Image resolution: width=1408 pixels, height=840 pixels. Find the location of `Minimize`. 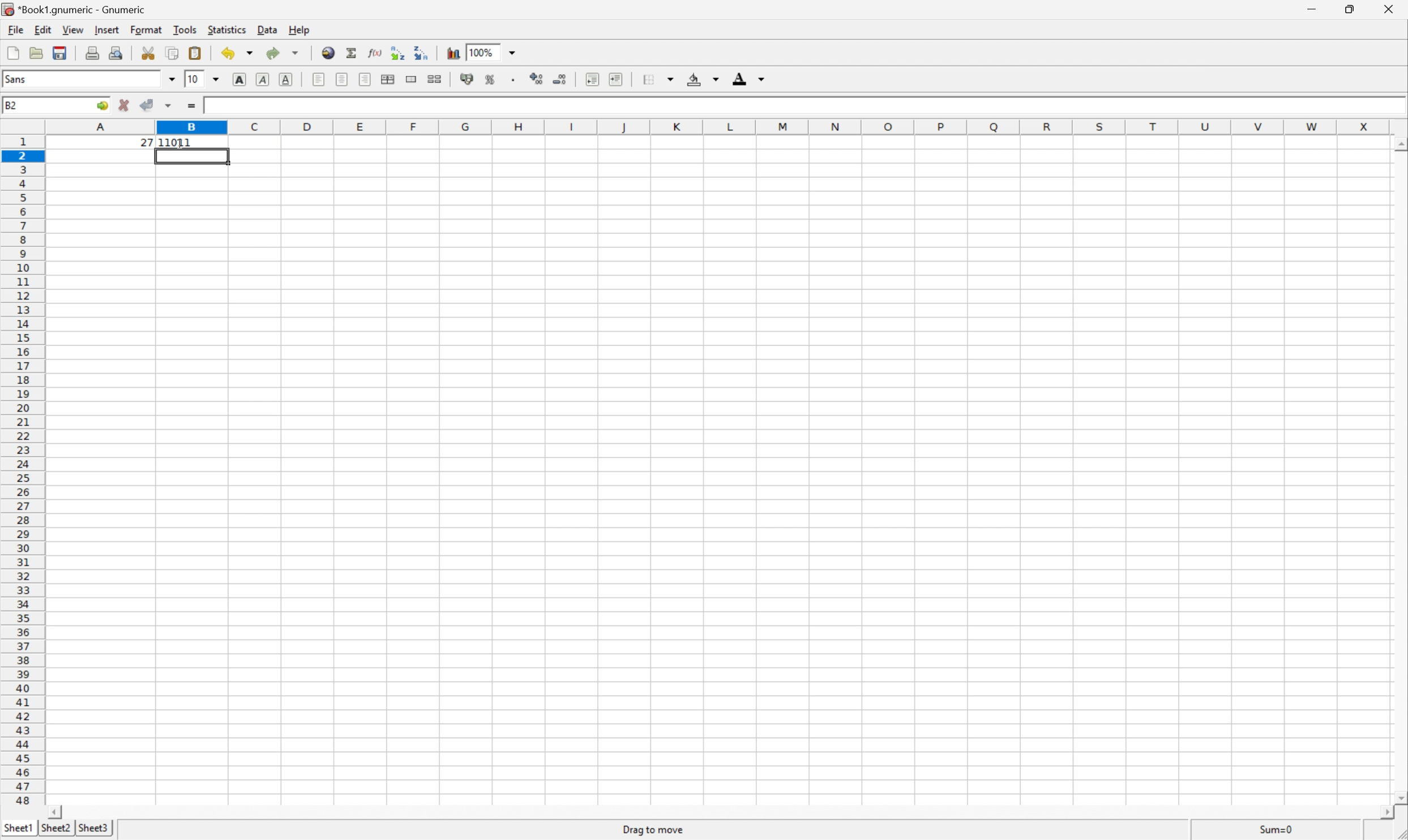

Minimize is located at coordinates (1312, 9).